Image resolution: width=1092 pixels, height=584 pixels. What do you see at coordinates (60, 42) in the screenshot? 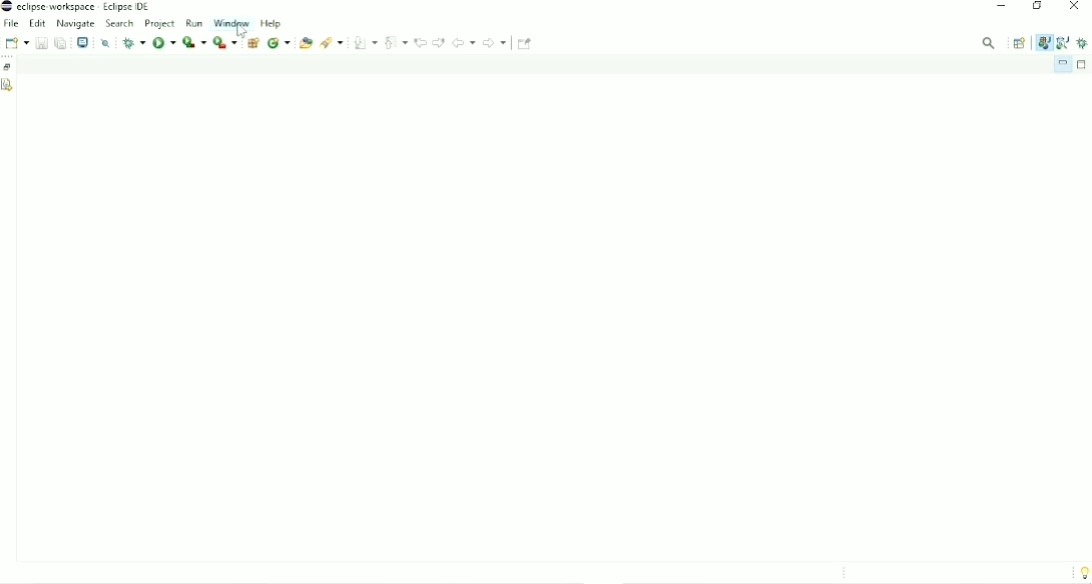
I see `Save all` at bounding box center [60, 42].